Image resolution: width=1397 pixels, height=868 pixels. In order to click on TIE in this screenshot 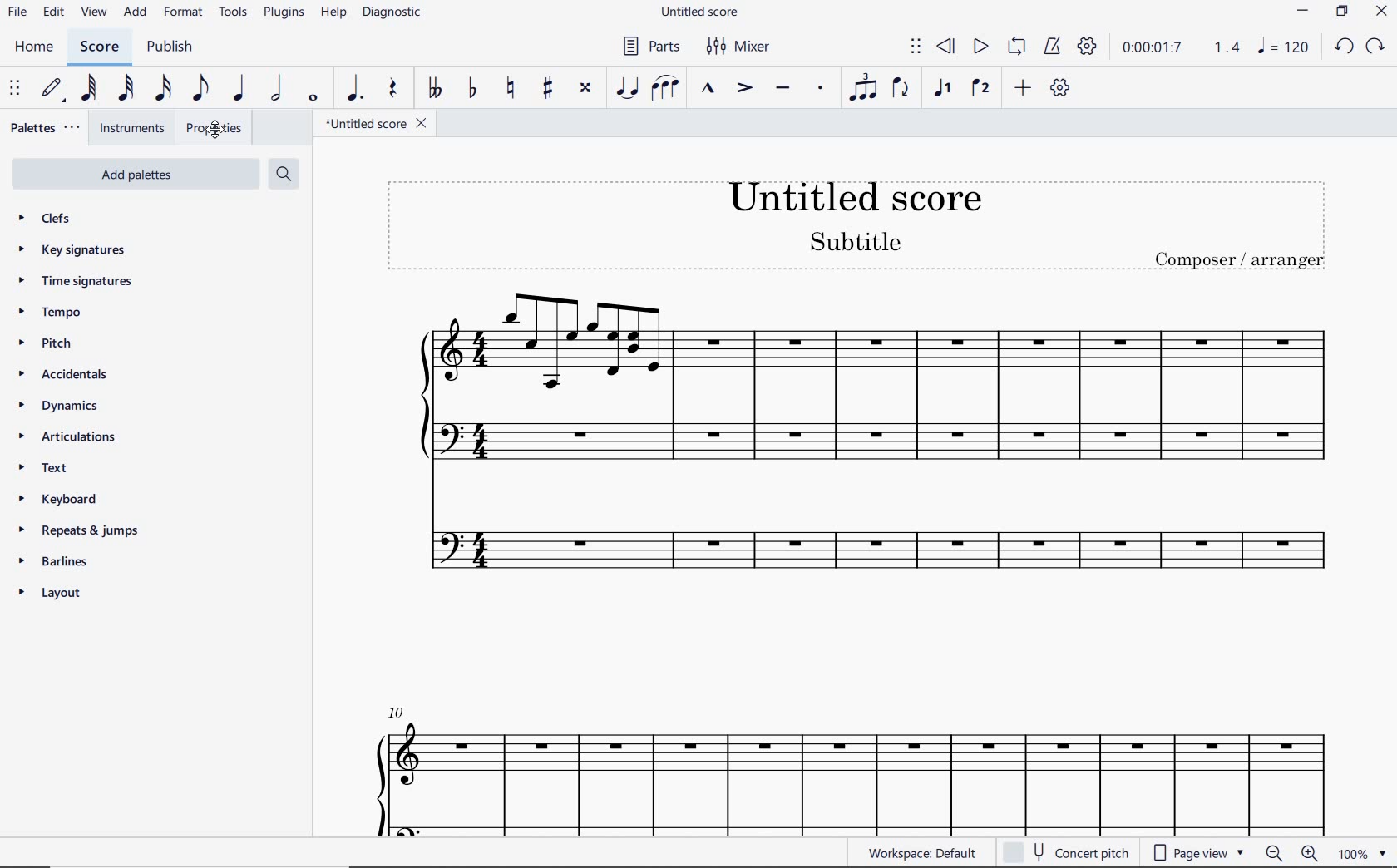, I will do `click(628, 87)`.